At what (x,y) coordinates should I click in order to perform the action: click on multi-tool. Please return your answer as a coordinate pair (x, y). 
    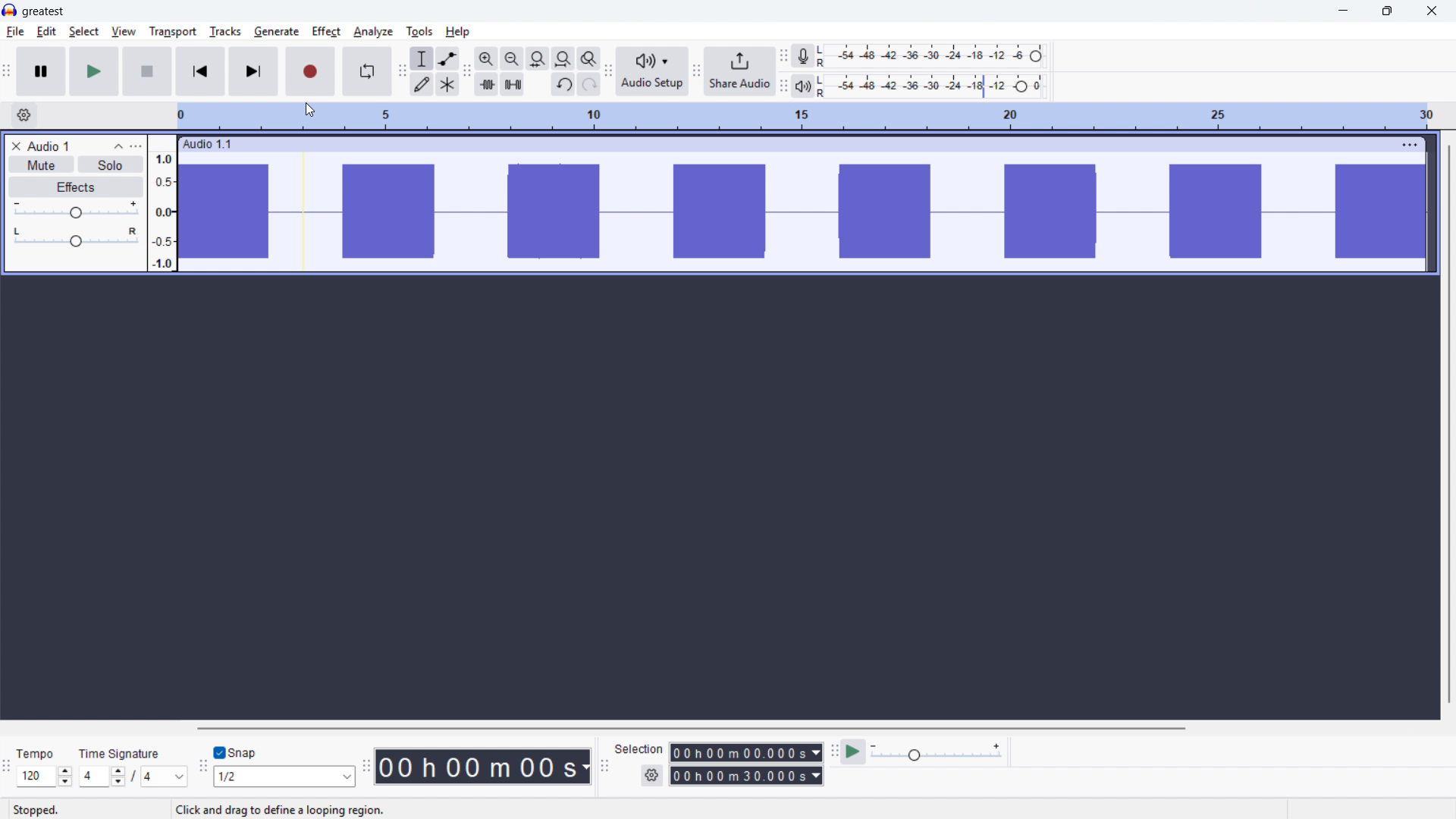
    Looking at the image, I should click on (447, 84).